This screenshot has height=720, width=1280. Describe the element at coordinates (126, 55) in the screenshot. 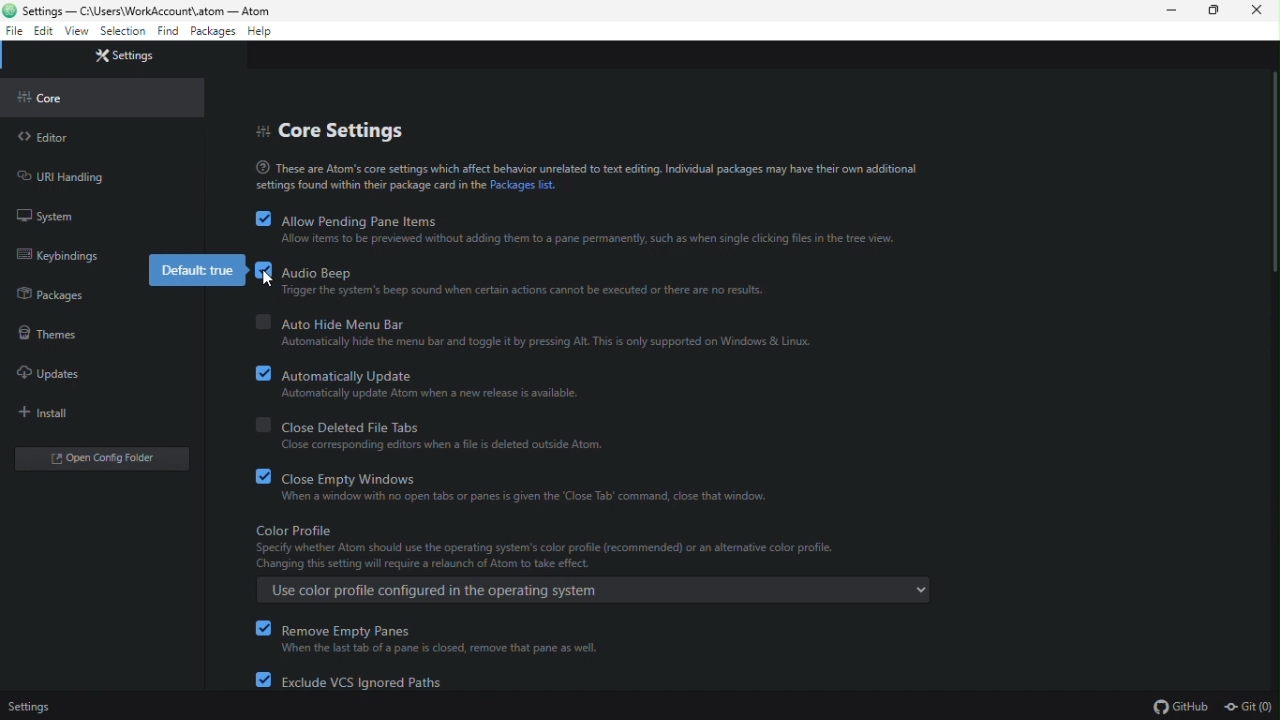

I see `Settings` at that location.